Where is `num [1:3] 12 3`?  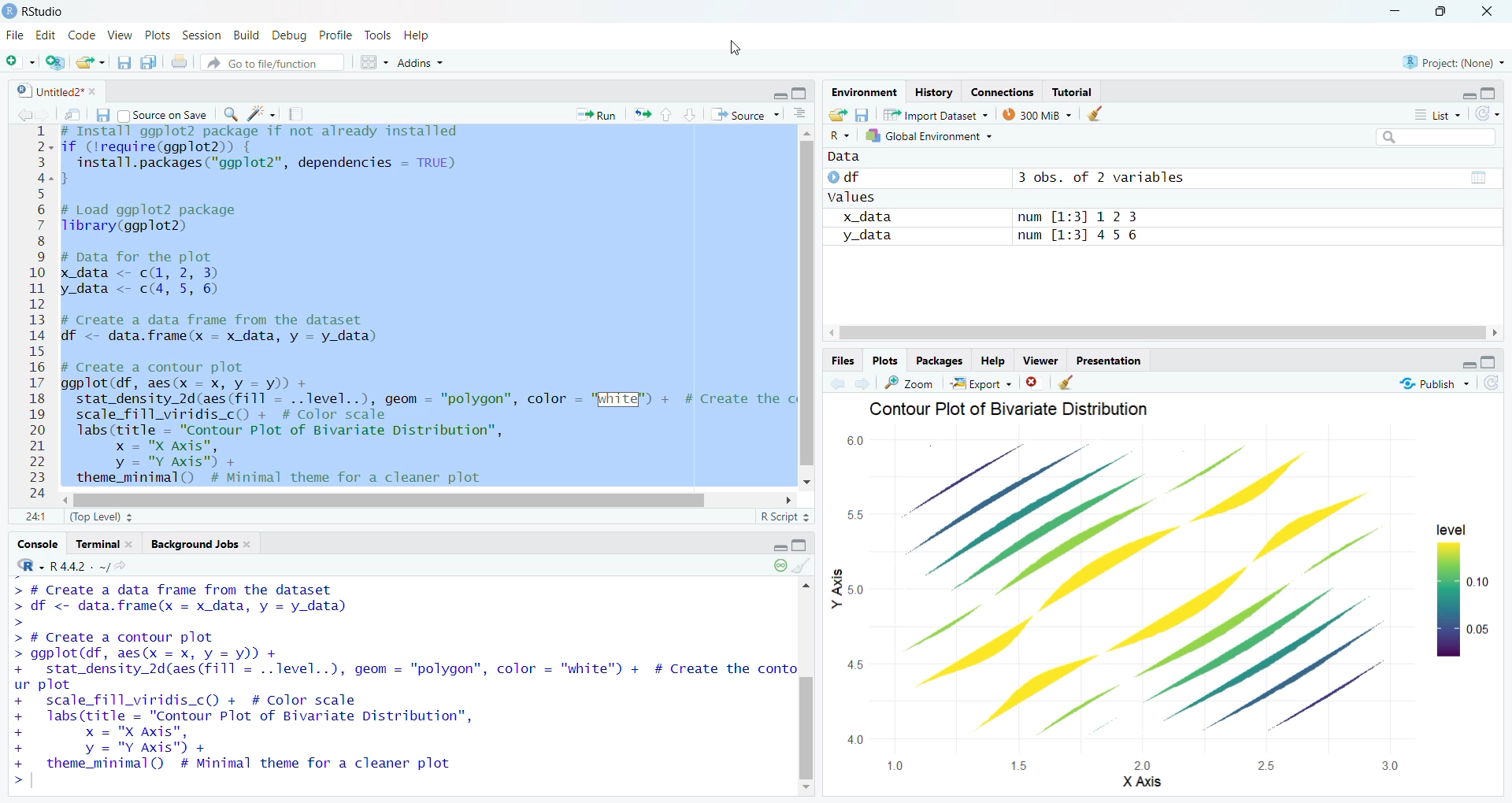
num [1:3] 12 3 is located at coordinates (1077, 216).